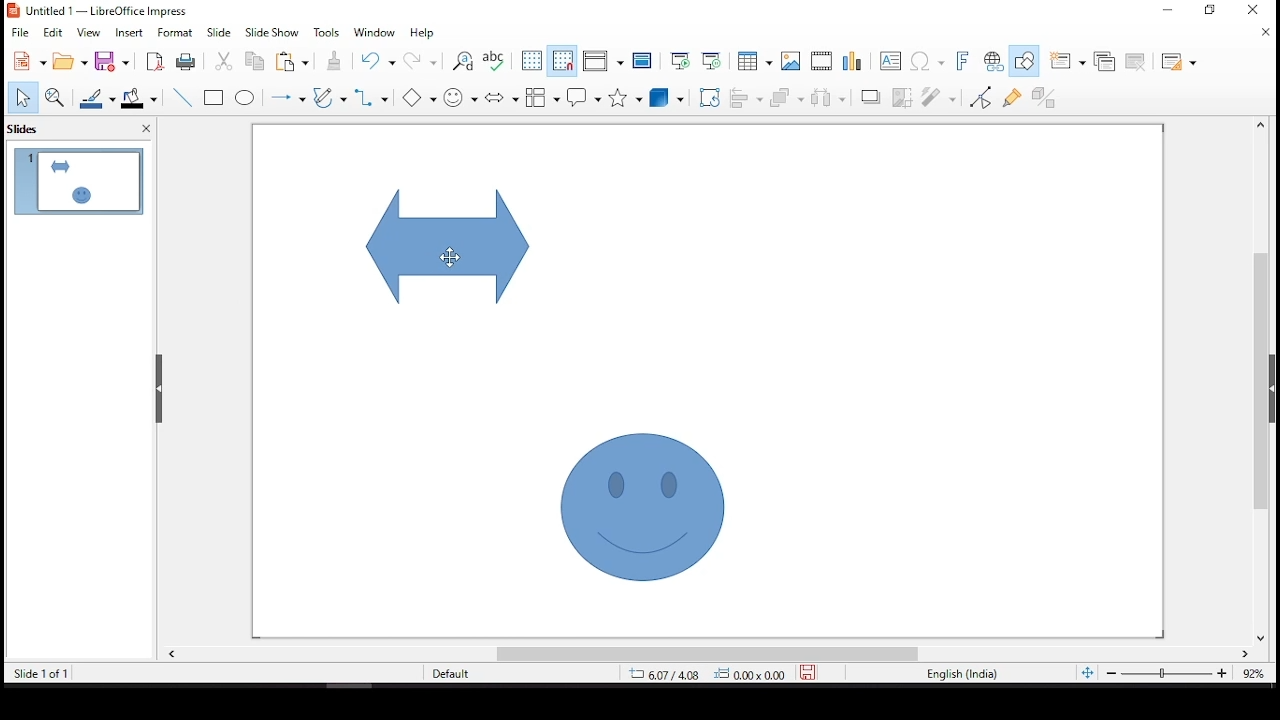 The image size is (1280, 720). What do you see at coordinates (419, 98) in the screenshot?
I see `basic shapes` at bounding box center [419, 98].